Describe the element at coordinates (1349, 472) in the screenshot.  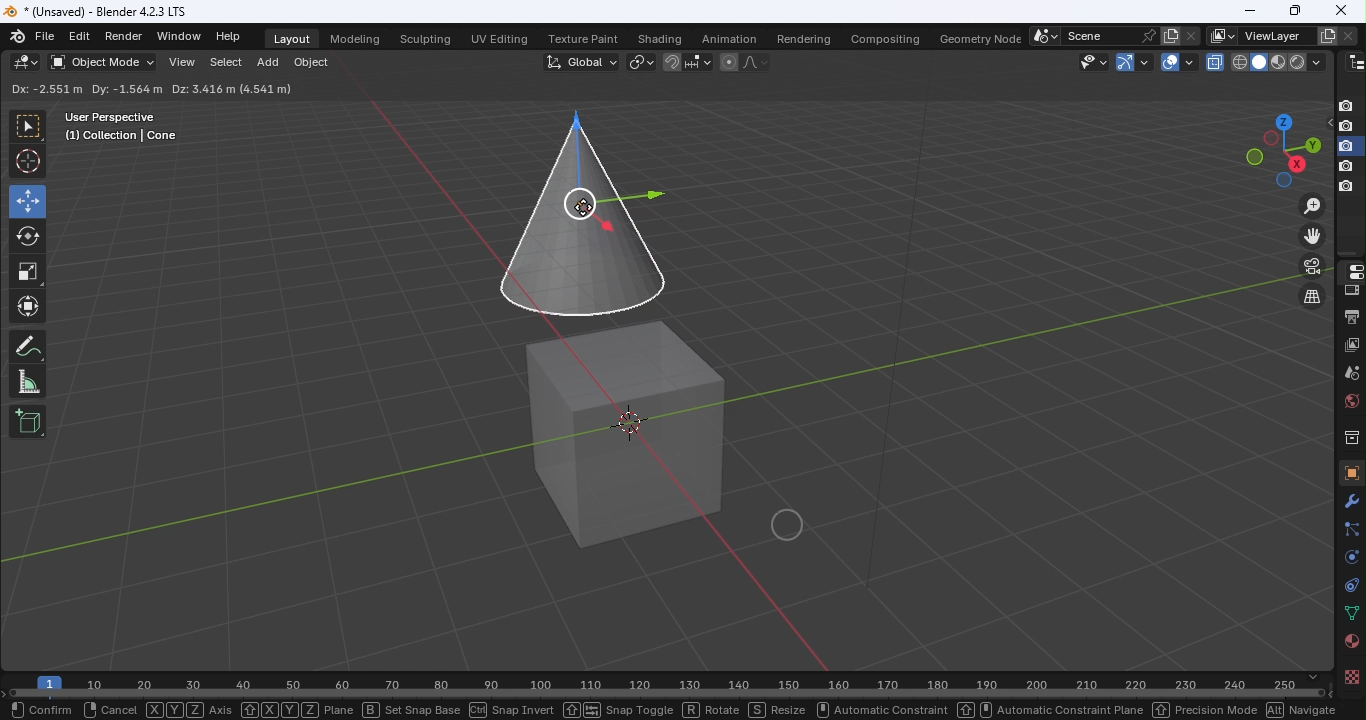
I see `Object` at that location.